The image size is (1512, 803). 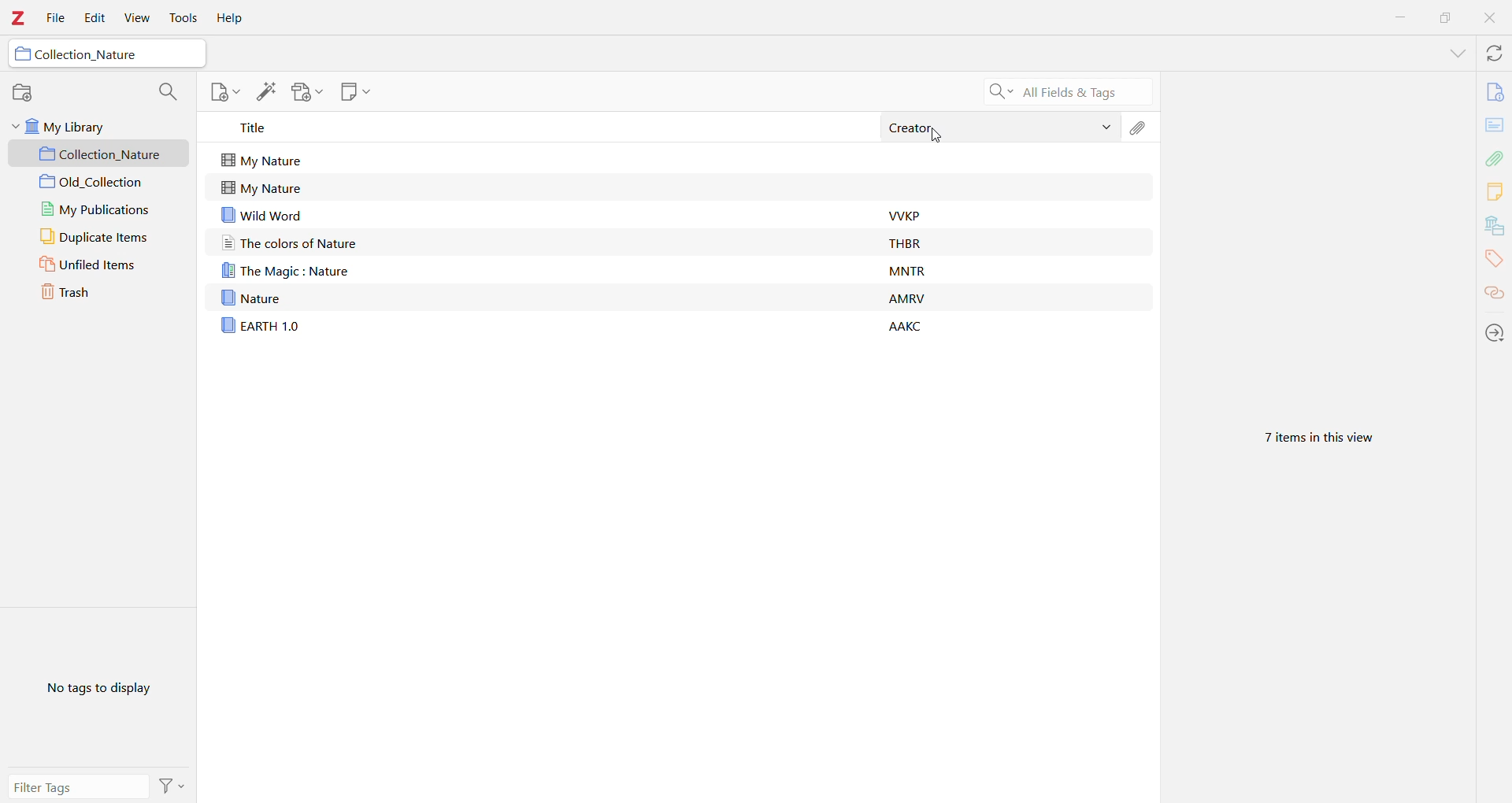 I want to click on Help, so click(x=232, y=20).